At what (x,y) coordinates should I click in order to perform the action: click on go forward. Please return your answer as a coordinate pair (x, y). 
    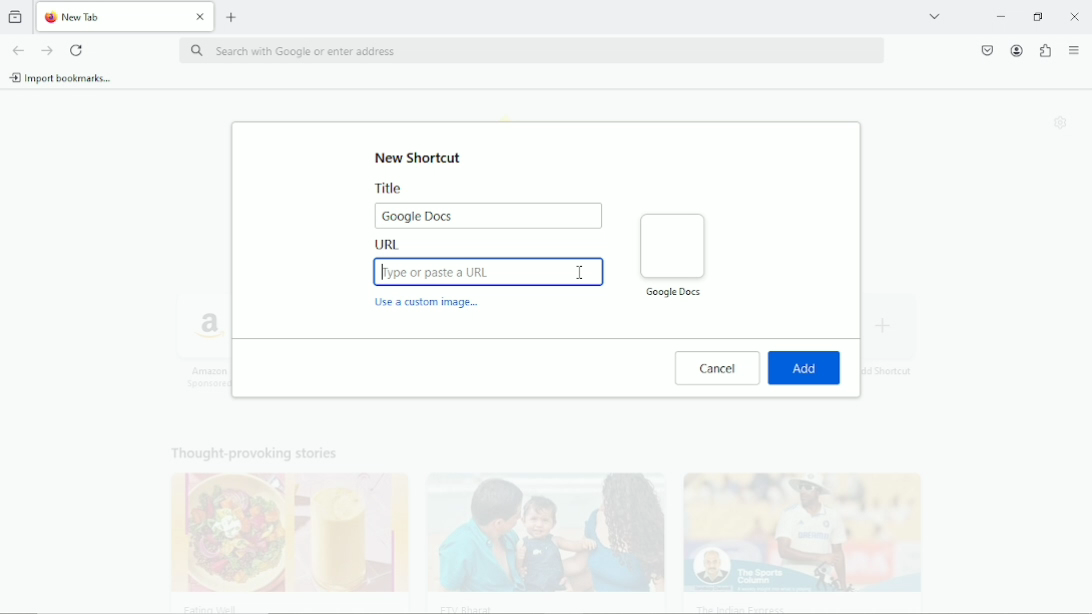
    Looking at the image, I should click on (48, 51).